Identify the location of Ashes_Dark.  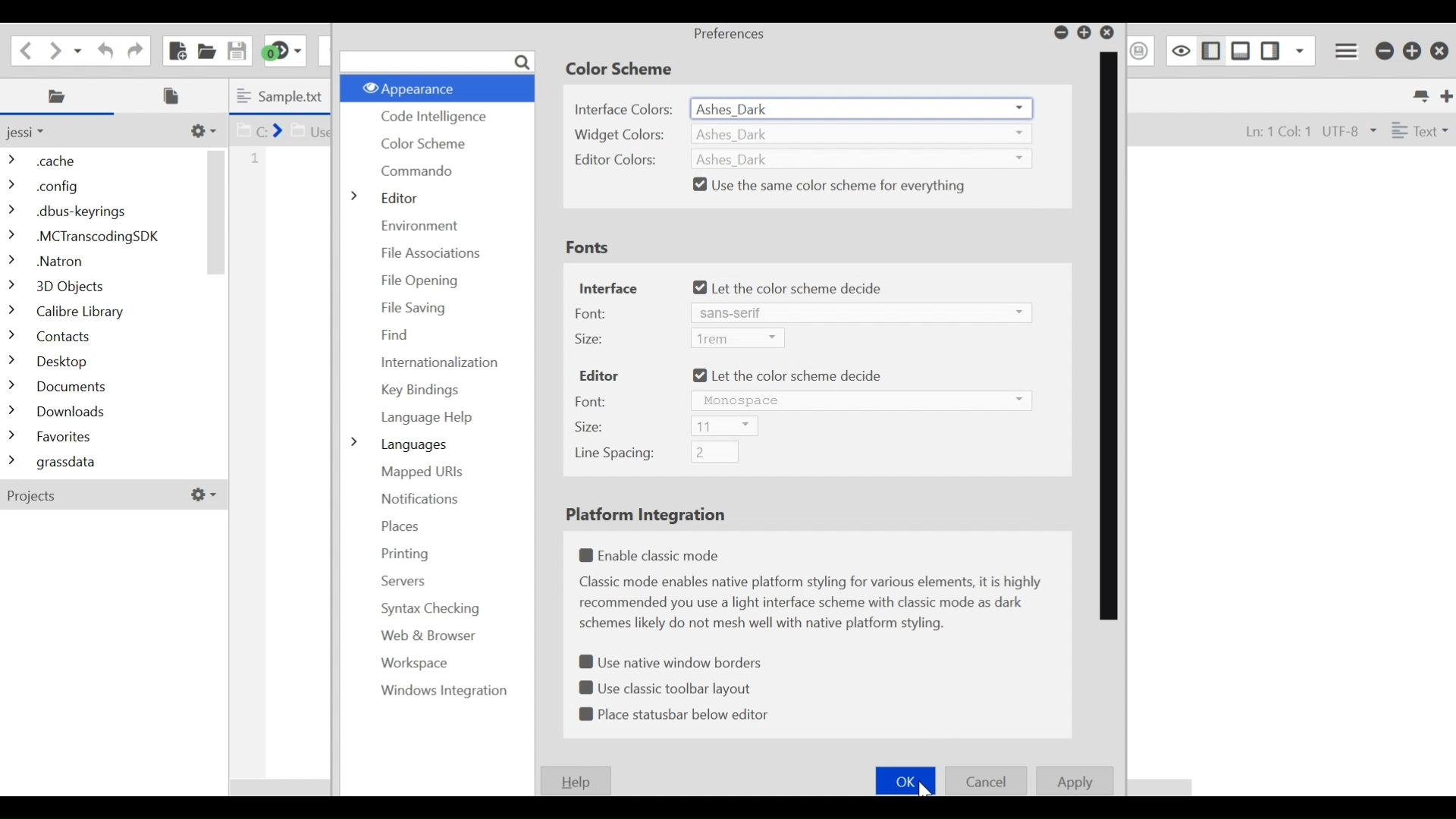
(858, 158).